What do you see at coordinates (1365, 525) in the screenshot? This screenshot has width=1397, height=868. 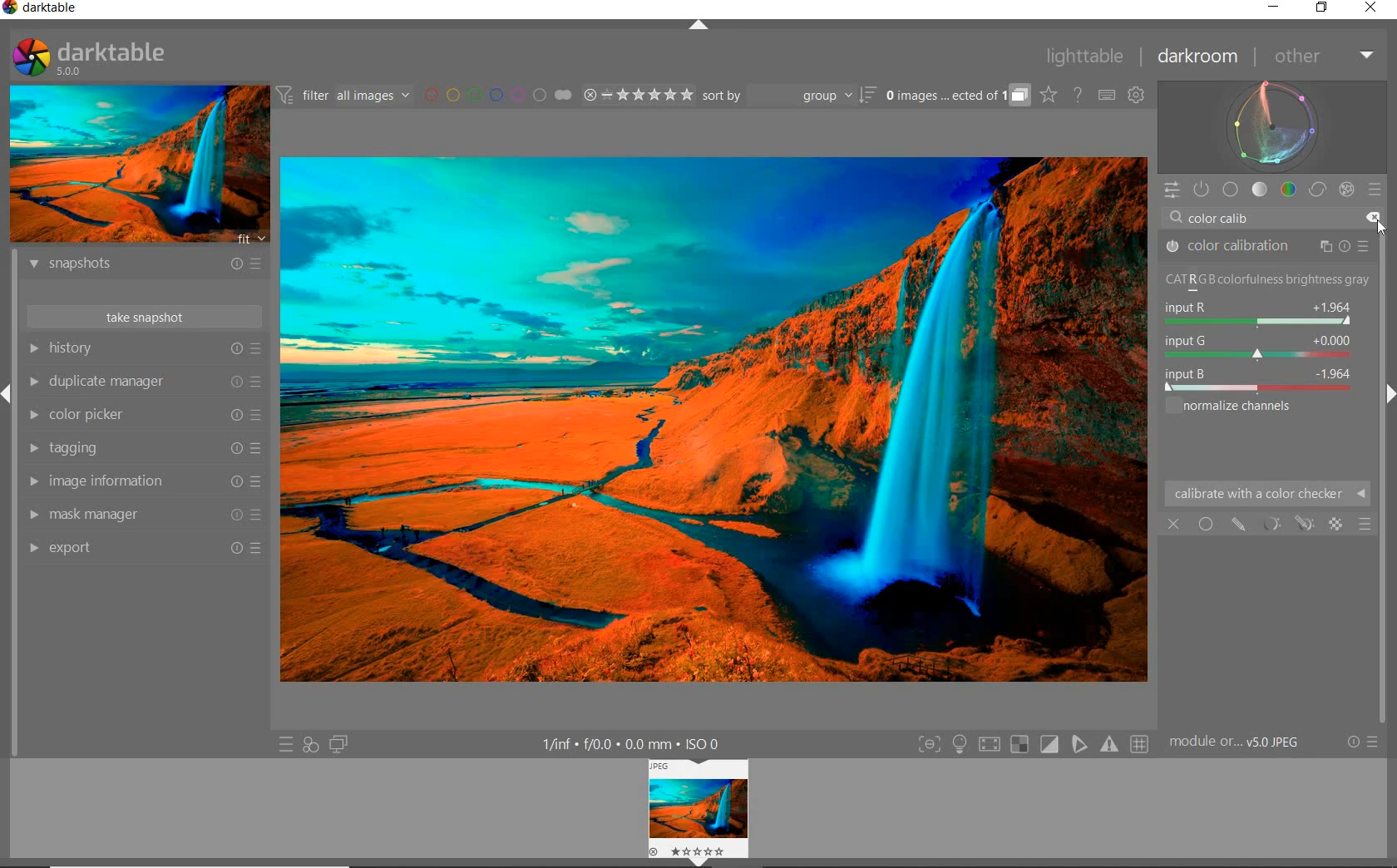 I see `BLENDING OPTIONS` at bounding box center [1365, 525].